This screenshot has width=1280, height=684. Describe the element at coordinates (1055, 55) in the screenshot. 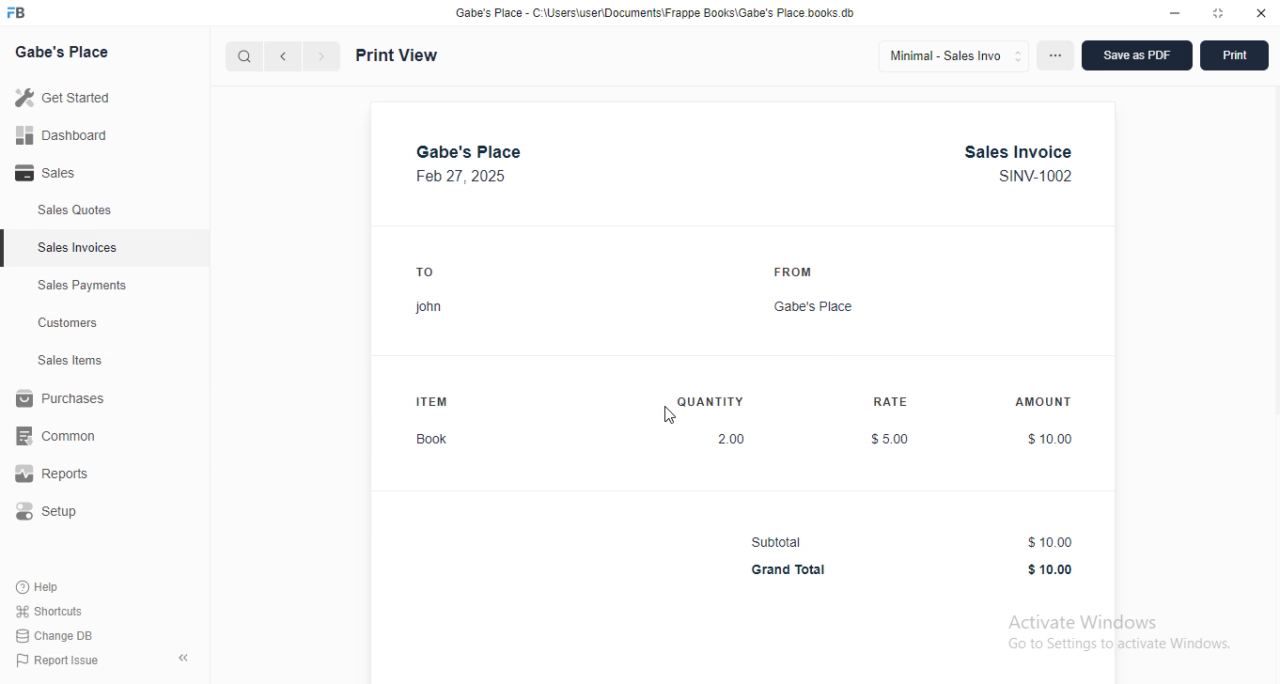

I see `options` at that location.